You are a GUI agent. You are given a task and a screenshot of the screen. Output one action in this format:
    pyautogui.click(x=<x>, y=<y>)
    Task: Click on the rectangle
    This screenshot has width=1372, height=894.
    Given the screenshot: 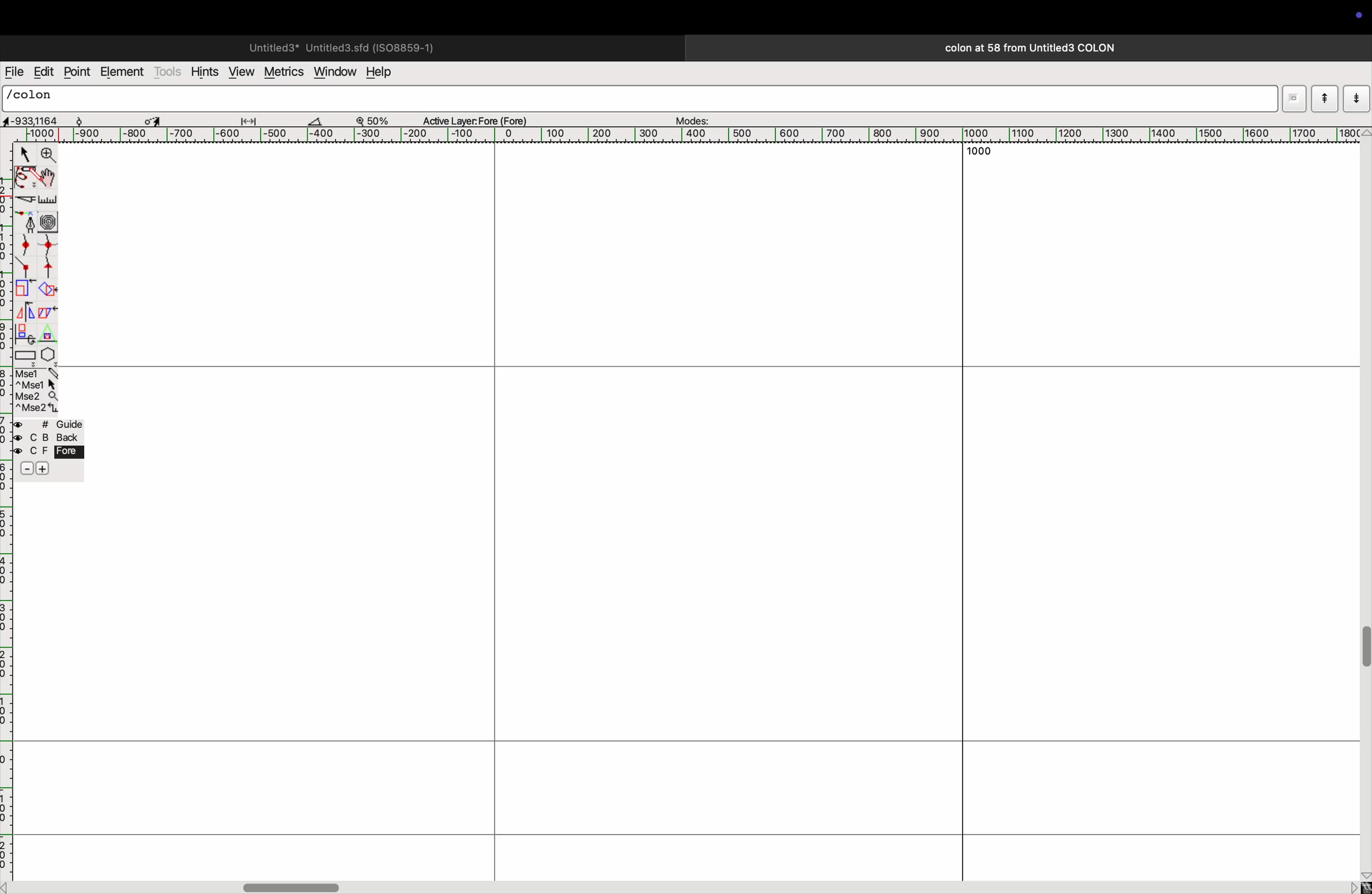 What is the action you would take?
    pyautogui.click(x=25, y=354)
    